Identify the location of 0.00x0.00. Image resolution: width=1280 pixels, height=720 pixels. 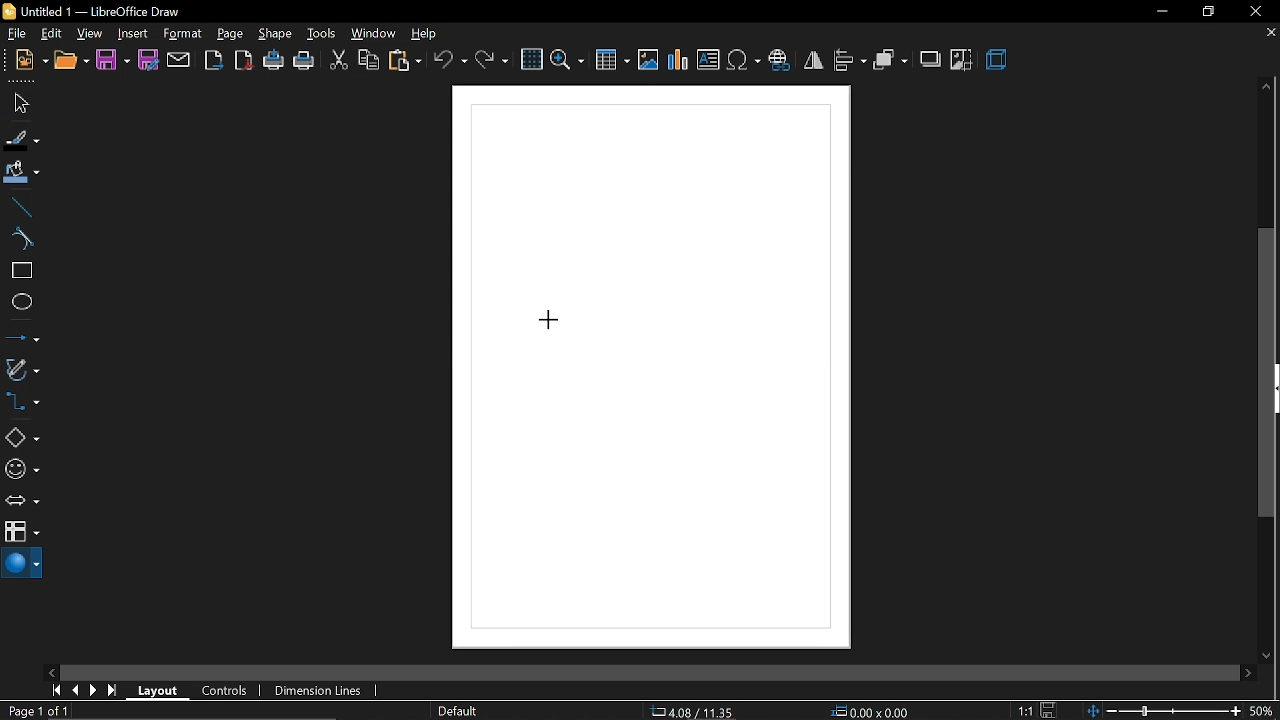
(874, 712).